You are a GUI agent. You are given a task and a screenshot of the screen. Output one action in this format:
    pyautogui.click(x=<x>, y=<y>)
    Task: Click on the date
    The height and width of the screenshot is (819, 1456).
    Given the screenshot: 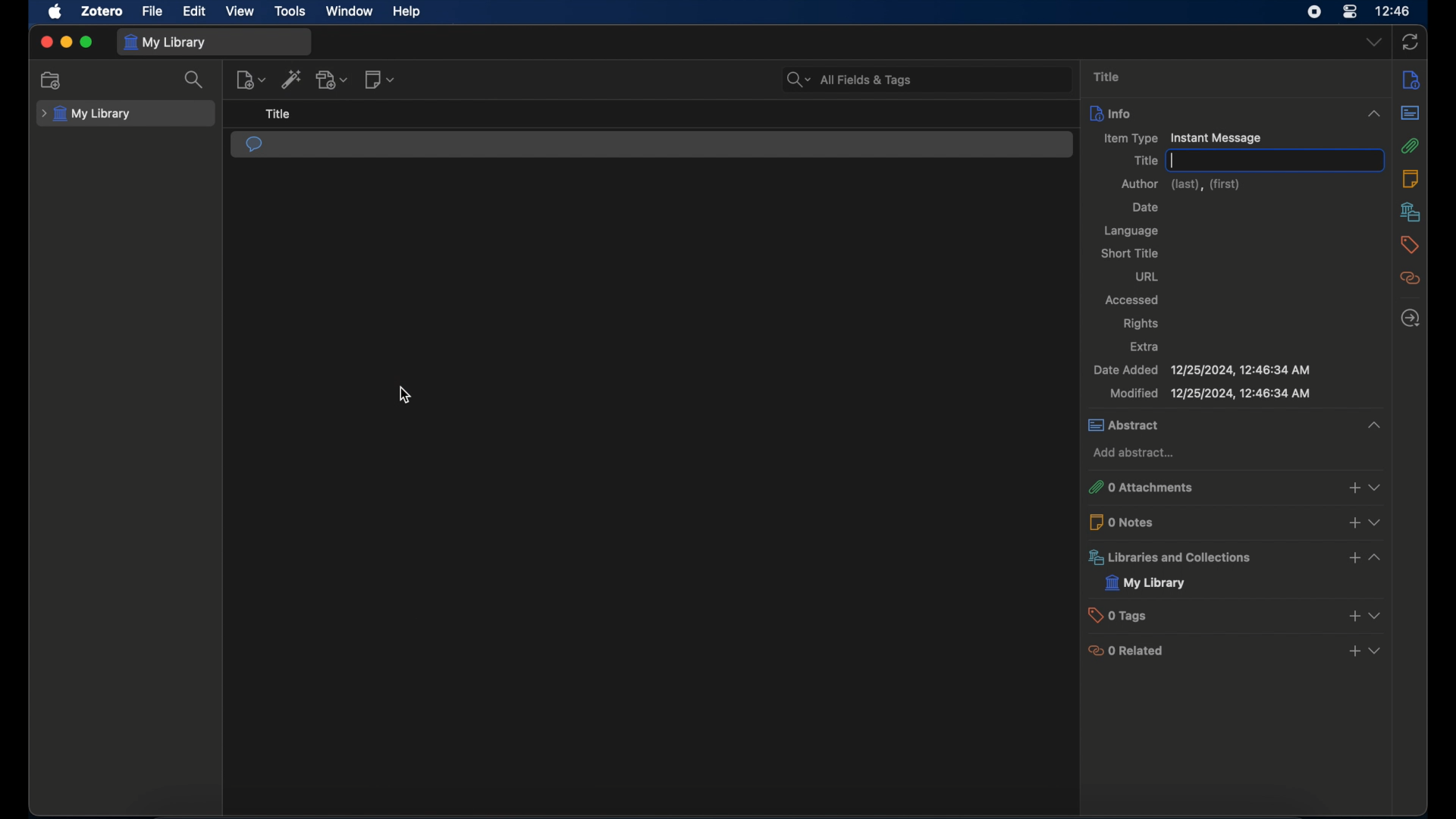 What is the action you would take?
    pyautogui.click(x=1145, y=207)
    